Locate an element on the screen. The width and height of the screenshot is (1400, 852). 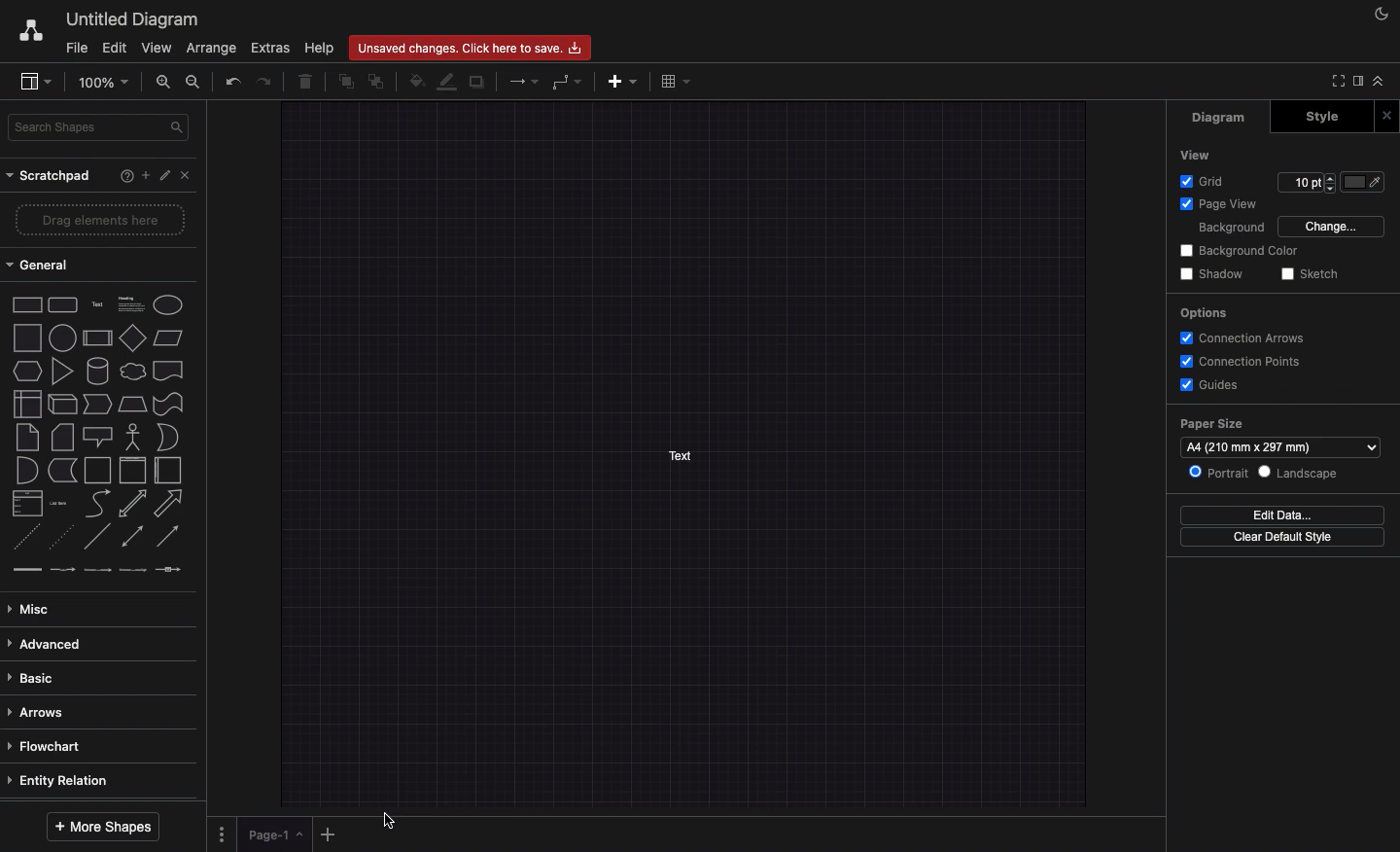
Landscape is located at coordinates (1304, 473).